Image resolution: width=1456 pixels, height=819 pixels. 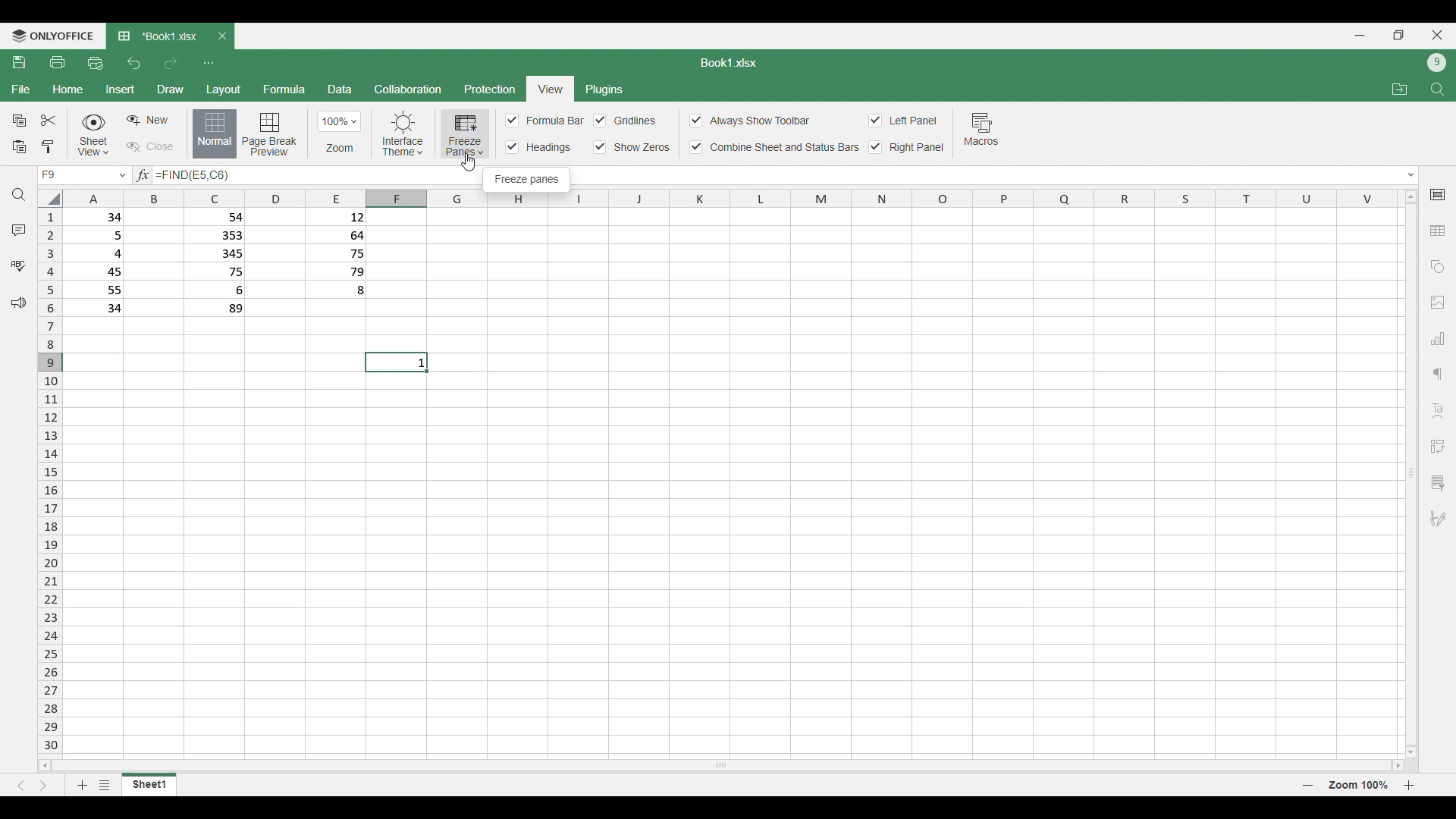 I want to click on Vertical slide bar, so click(x=1410, y=469).